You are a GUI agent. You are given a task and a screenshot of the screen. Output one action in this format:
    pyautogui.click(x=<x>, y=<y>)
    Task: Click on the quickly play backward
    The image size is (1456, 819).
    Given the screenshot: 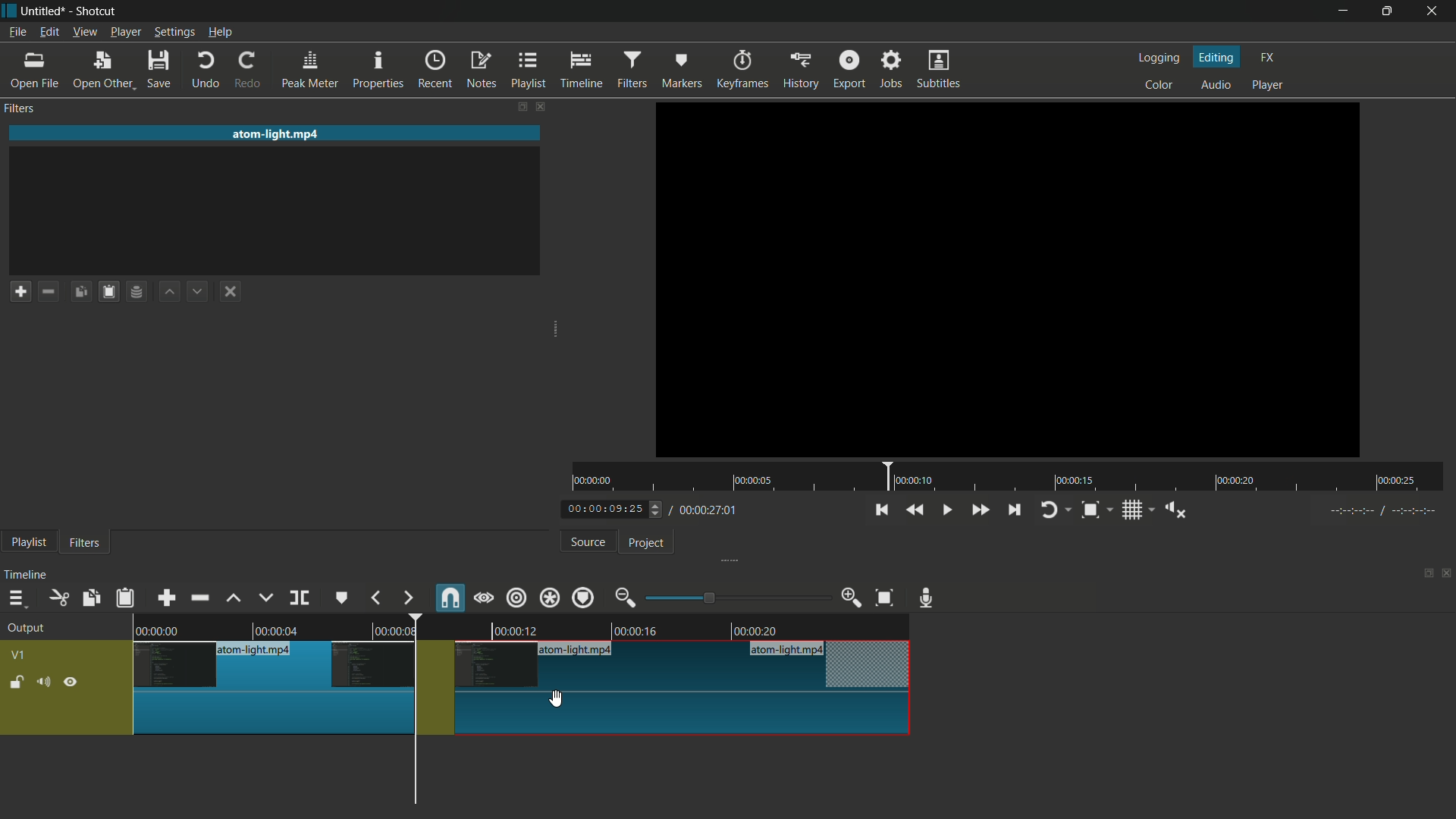 What is the action you would take?
    pyautogui.click(x=916, y=510)
    